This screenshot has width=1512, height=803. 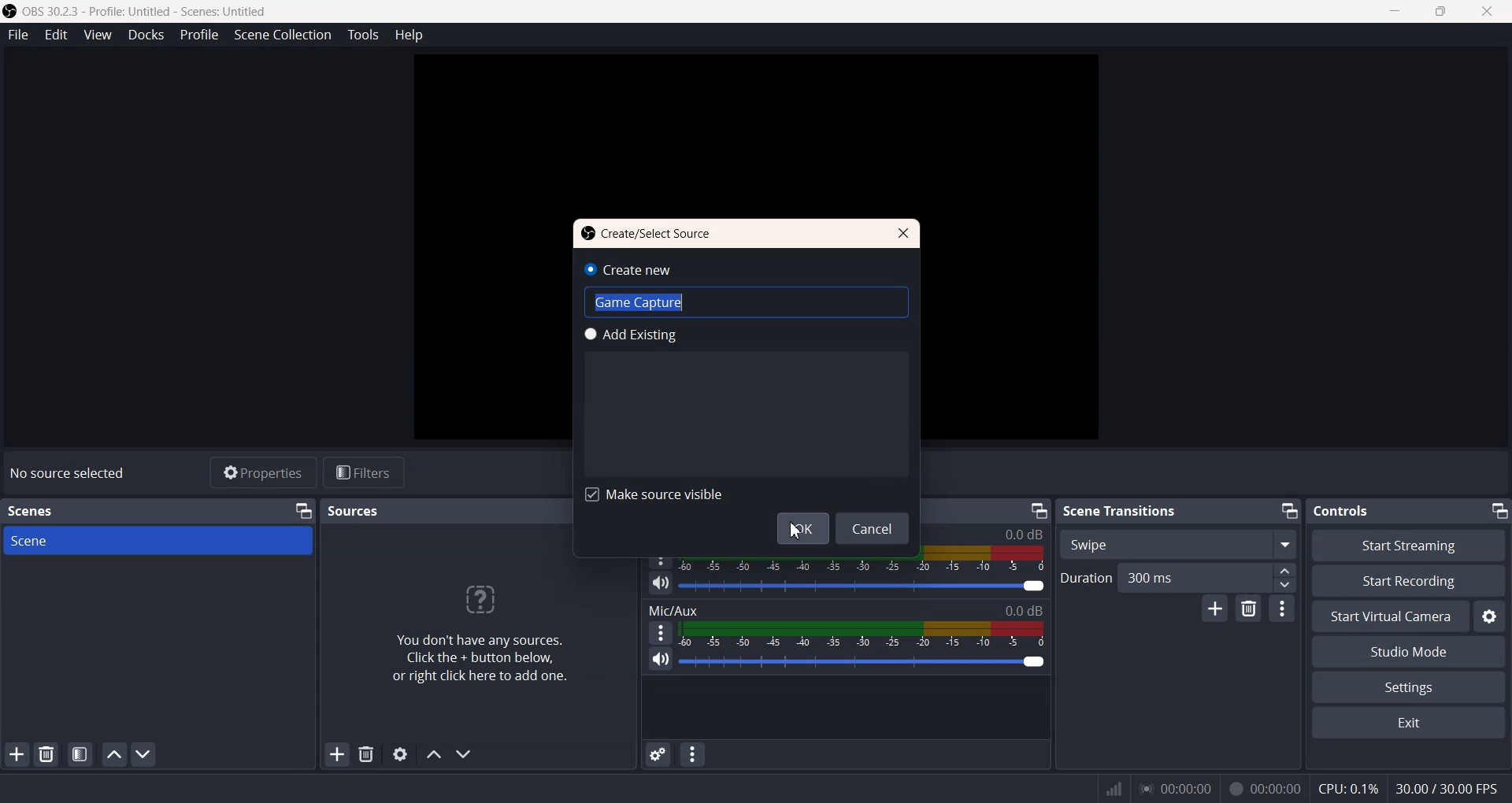 What do you see at coordinates (1247, 609) in the screenshot?
I see `Remove Configurable transition` at bounding box center [1247, 609].